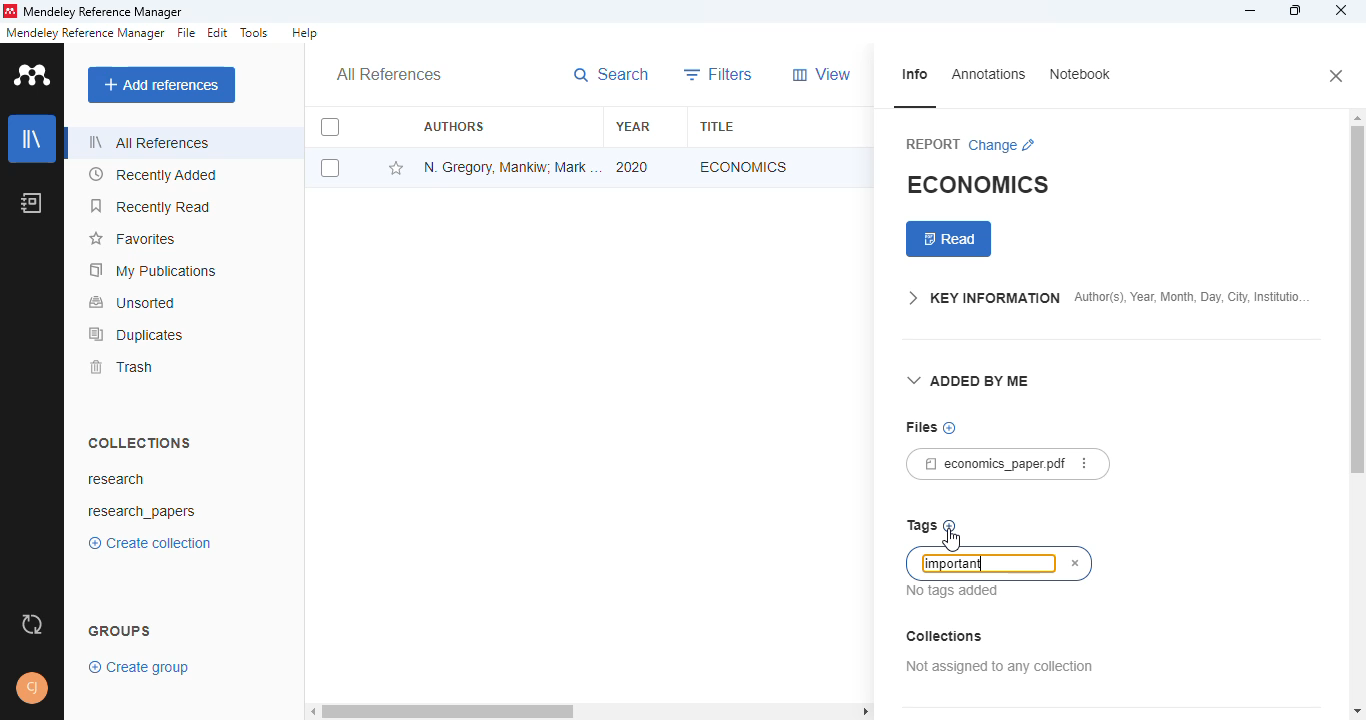 This screenshot has height=720, width=1366. Describe the element at coordinates (149, 206) in the screenshot. I see `recently read` at that location.